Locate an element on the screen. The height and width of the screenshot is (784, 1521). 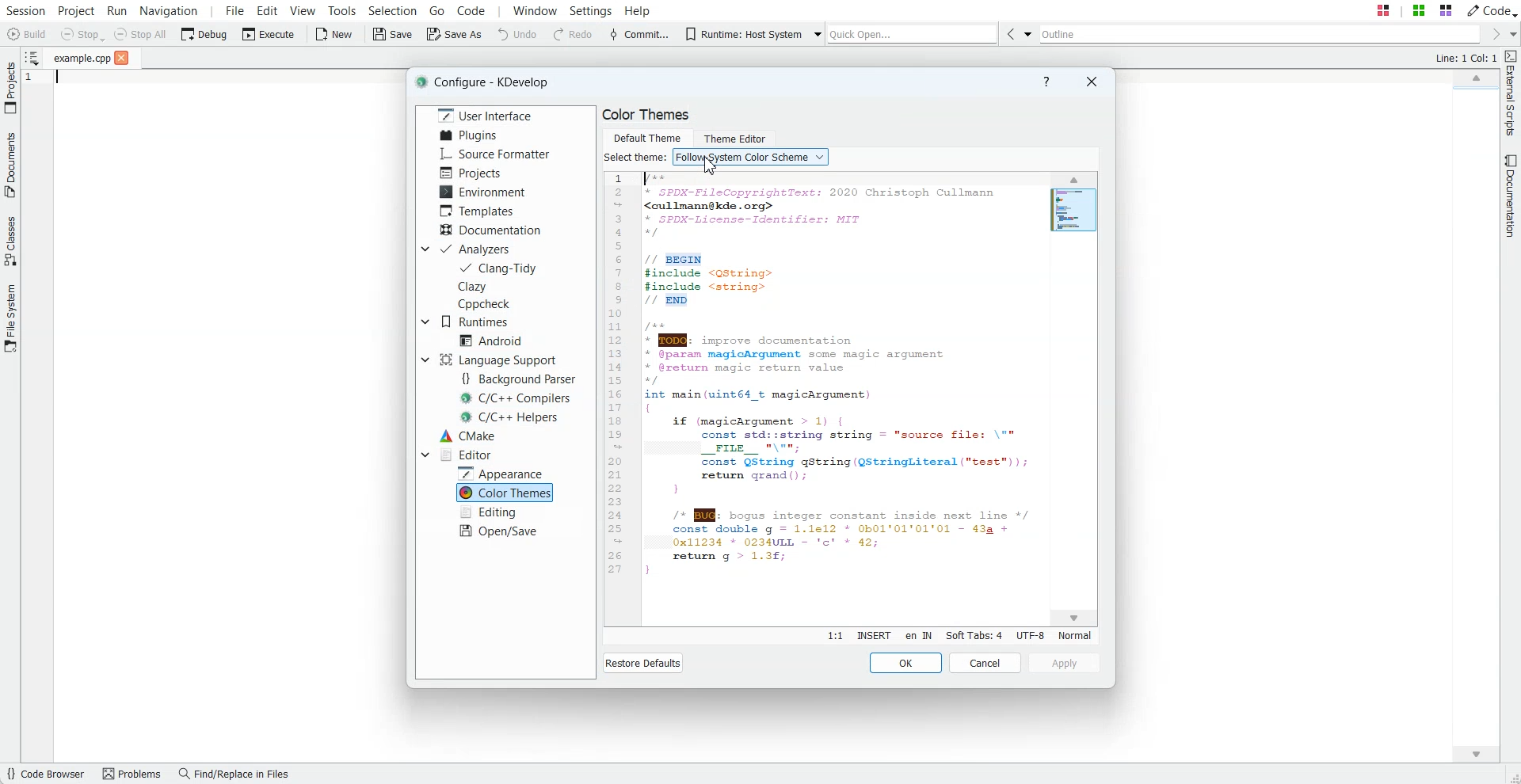
Save As is located at coordinates (454, 35).